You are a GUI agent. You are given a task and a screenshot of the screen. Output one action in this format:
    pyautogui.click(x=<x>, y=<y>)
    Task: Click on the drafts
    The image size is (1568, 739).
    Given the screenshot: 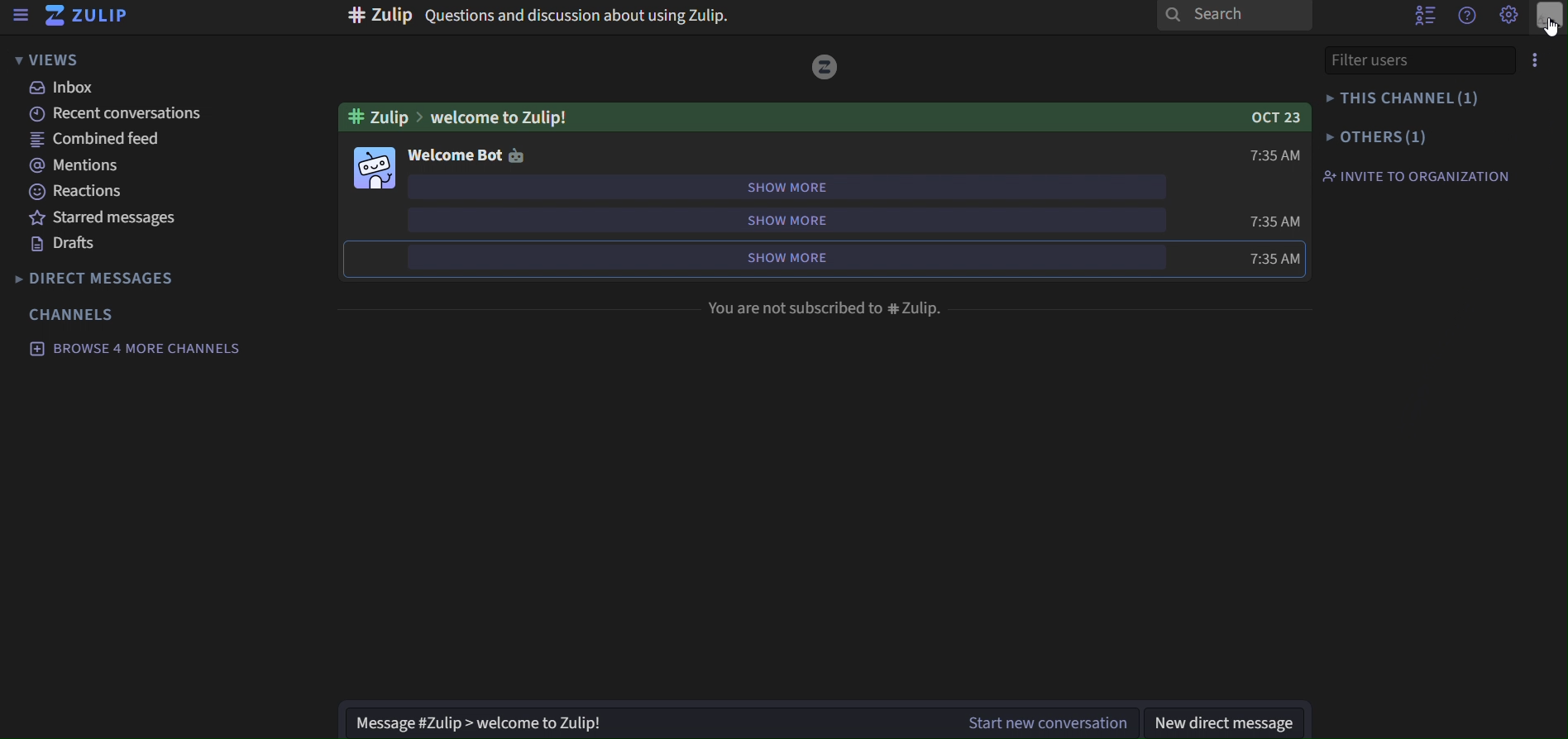 What is the action you would take?
    pyautogui.click(x=113, y=245)
    